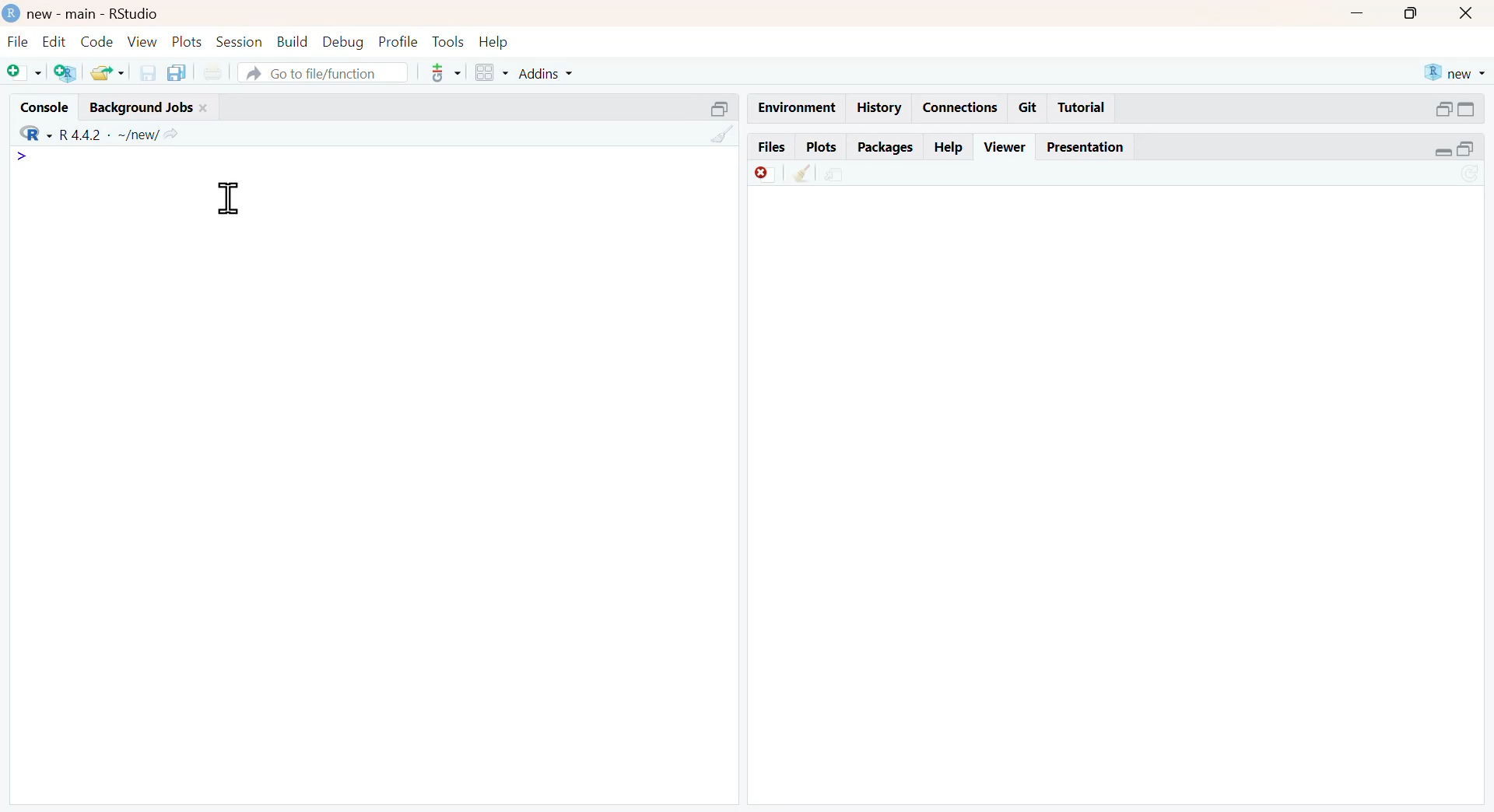 This screenshot has height=812, width=1494. Describe the element at coordinates (447, 72) in the screenshot. I see `tools` at that location.